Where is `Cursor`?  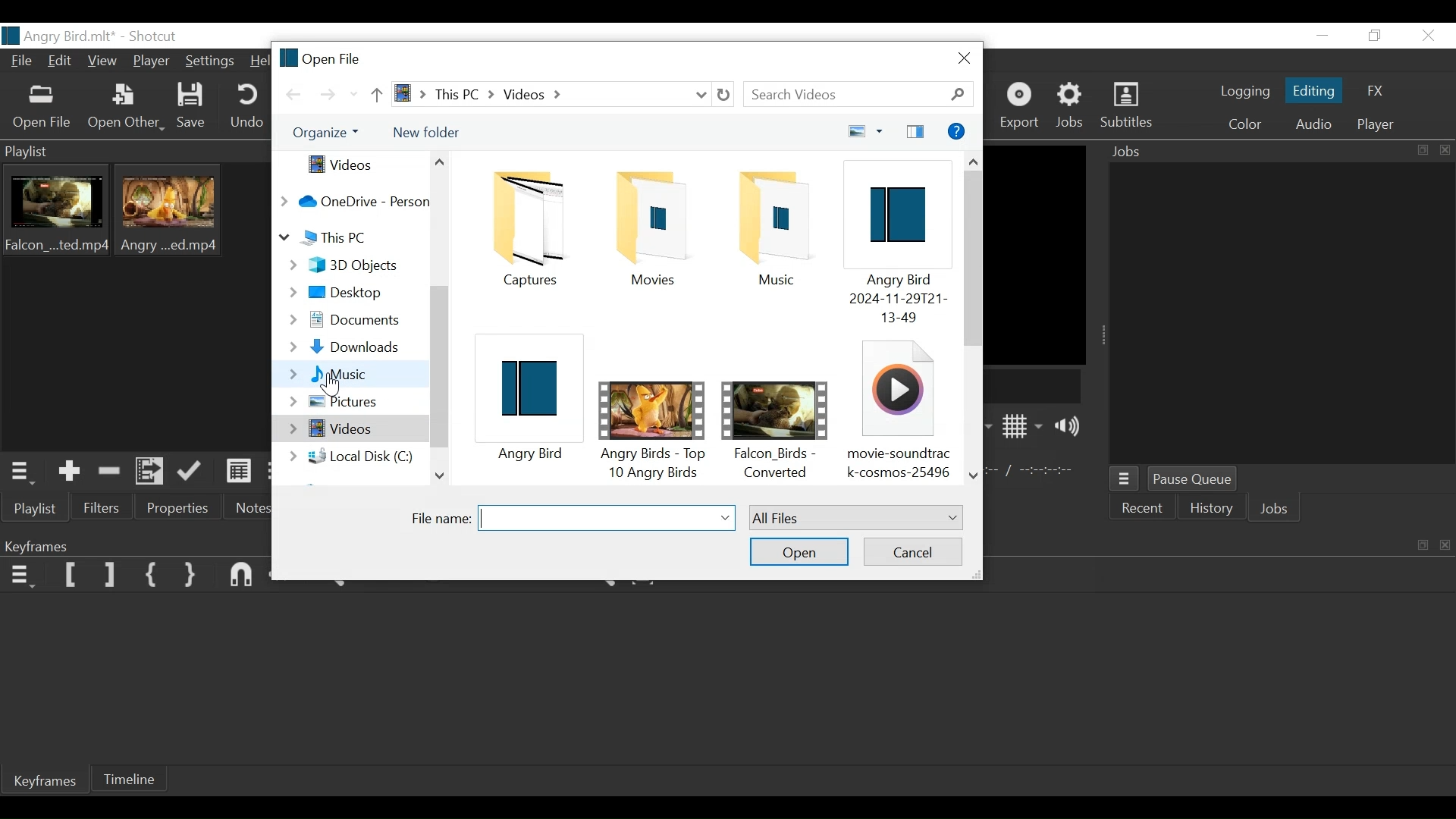
Cursor is located at coordinates (328, 385).